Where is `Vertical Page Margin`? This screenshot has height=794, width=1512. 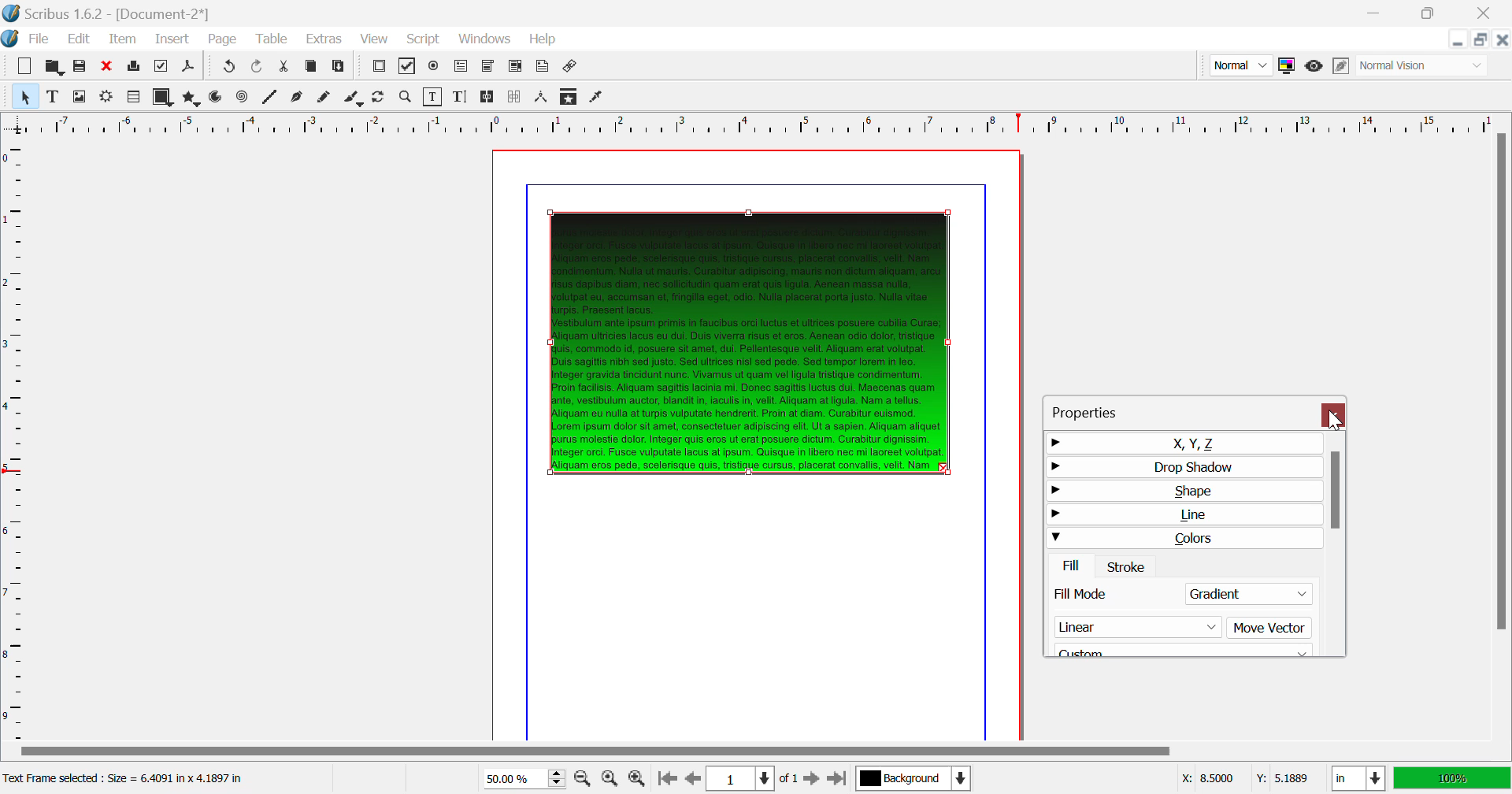
Vertical Page Margin is located at coordinates (780, 123).